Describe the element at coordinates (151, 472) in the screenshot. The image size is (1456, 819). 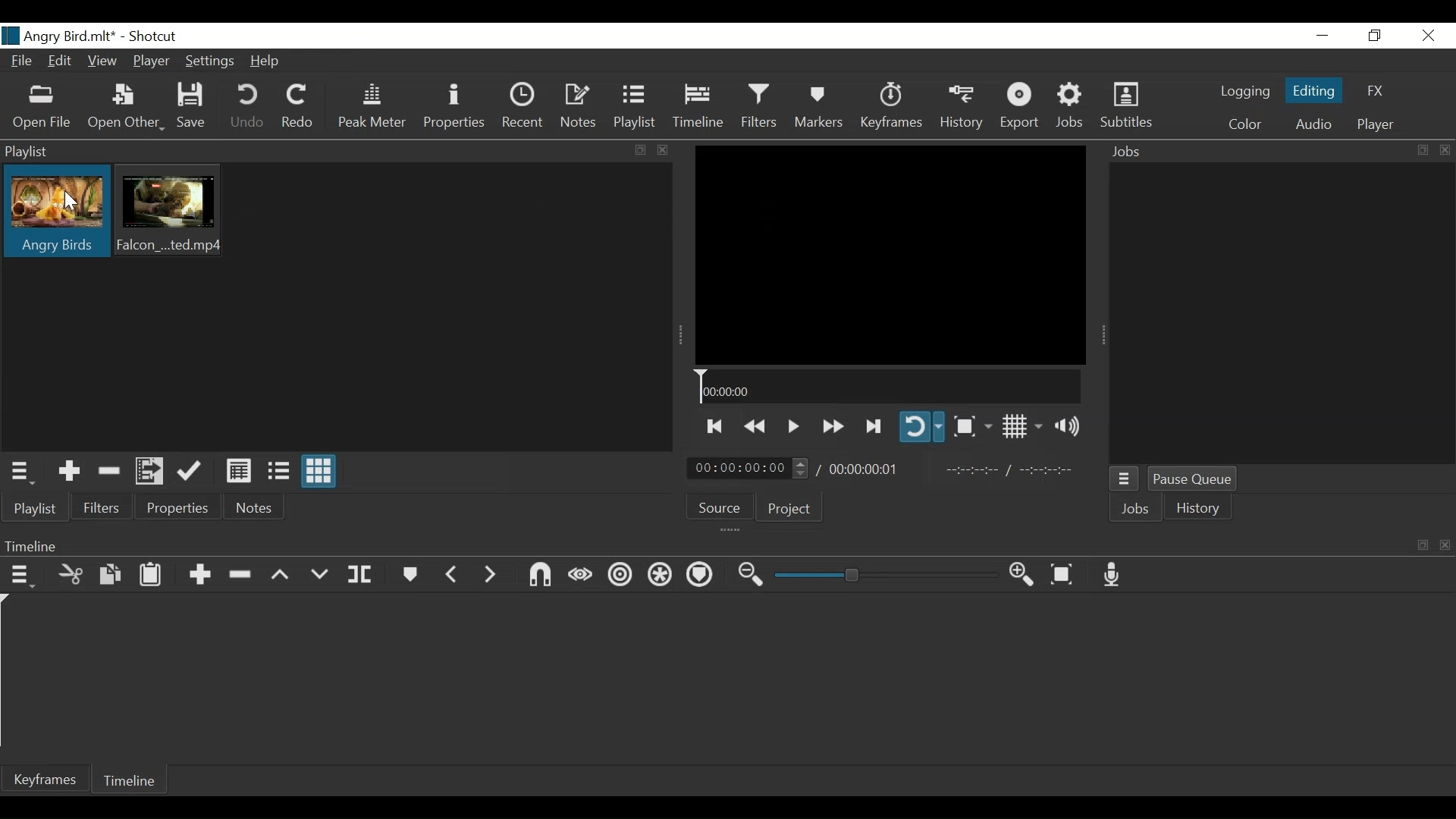
I see `Add files to the playlist` at that location.